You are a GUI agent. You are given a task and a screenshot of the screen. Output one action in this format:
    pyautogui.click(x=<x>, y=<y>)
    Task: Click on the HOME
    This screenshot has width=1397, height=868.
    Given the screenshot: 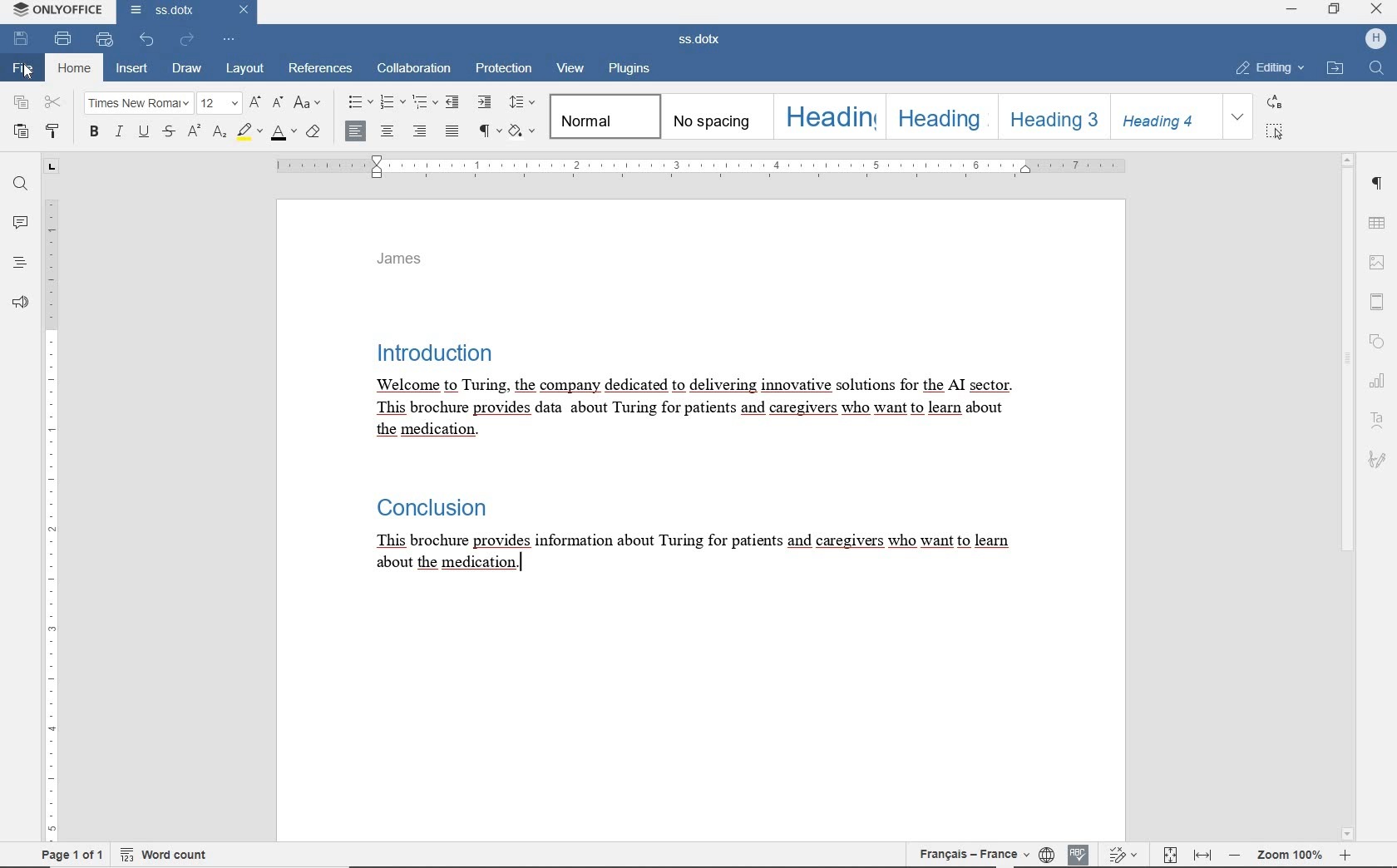 What is the action you would take?
    pyautogui.click(x=73, y=70)
    